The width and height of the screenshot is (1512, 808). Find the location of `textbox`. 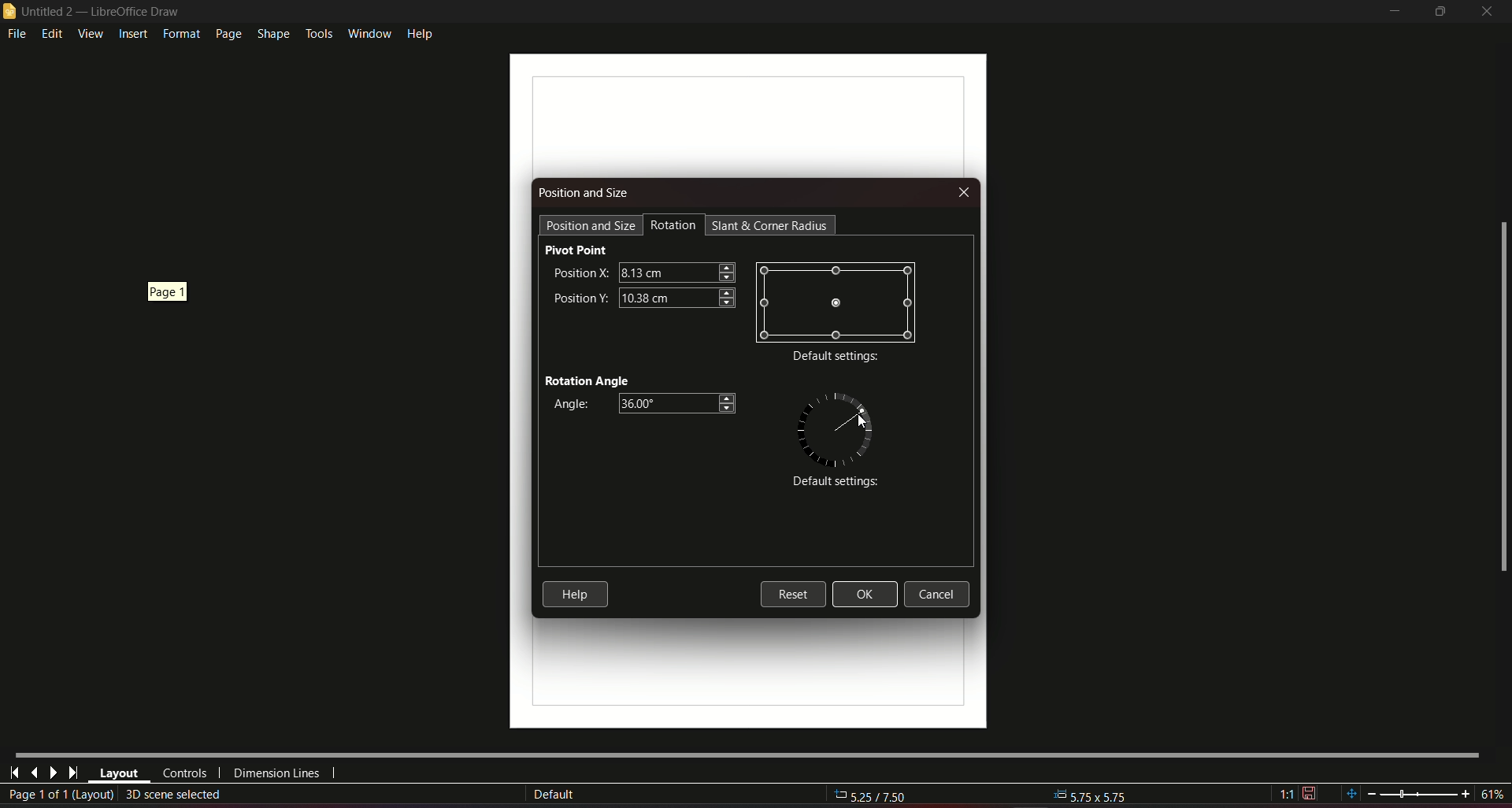

textbox is located at coordinates (676, 297).